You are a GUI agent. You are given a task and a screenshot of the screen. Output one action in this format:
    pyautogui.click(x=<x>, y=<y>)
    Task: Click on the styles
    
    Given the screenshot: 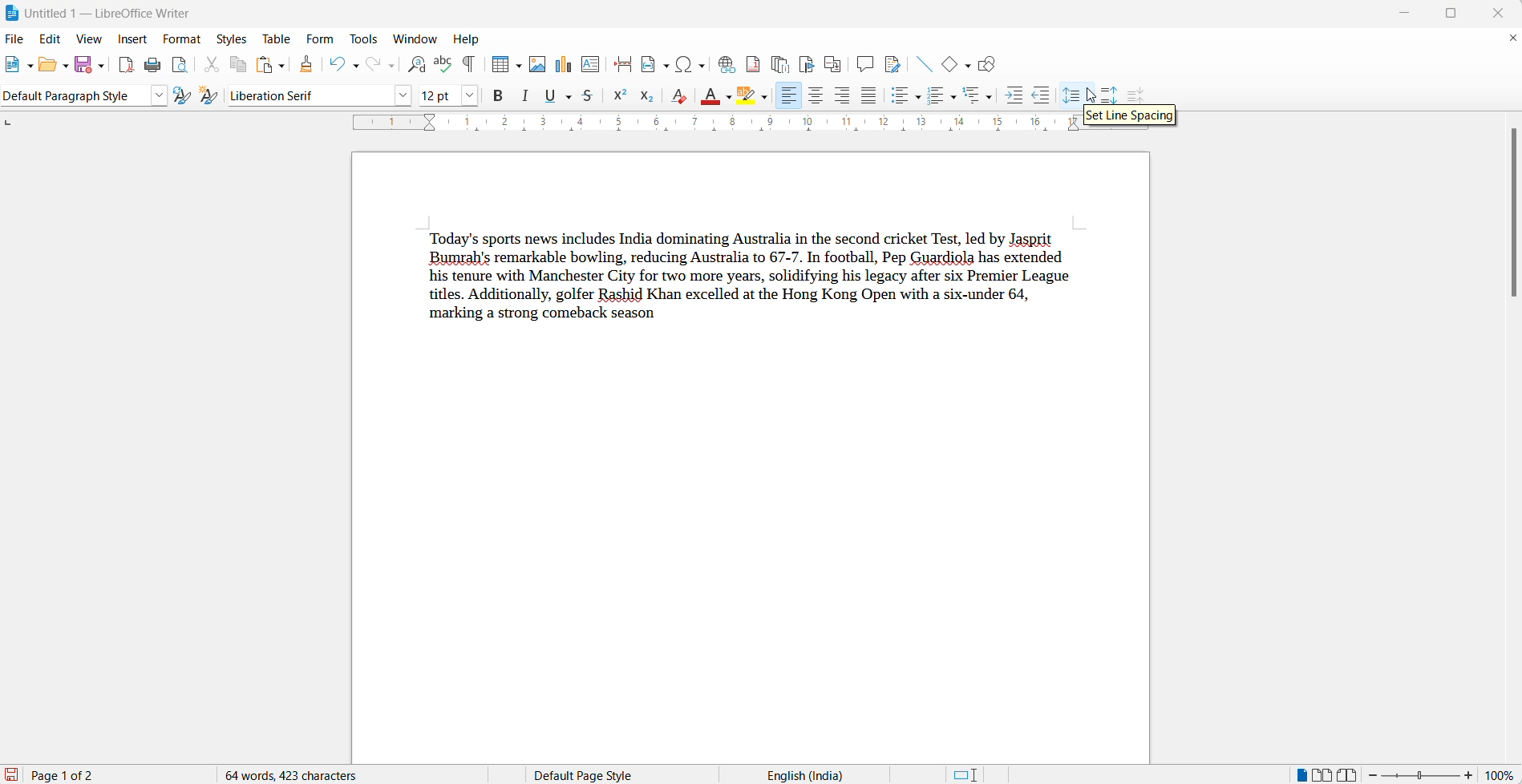 What is the action you would take?
    pyautogui.click(x=233, y=37)
    